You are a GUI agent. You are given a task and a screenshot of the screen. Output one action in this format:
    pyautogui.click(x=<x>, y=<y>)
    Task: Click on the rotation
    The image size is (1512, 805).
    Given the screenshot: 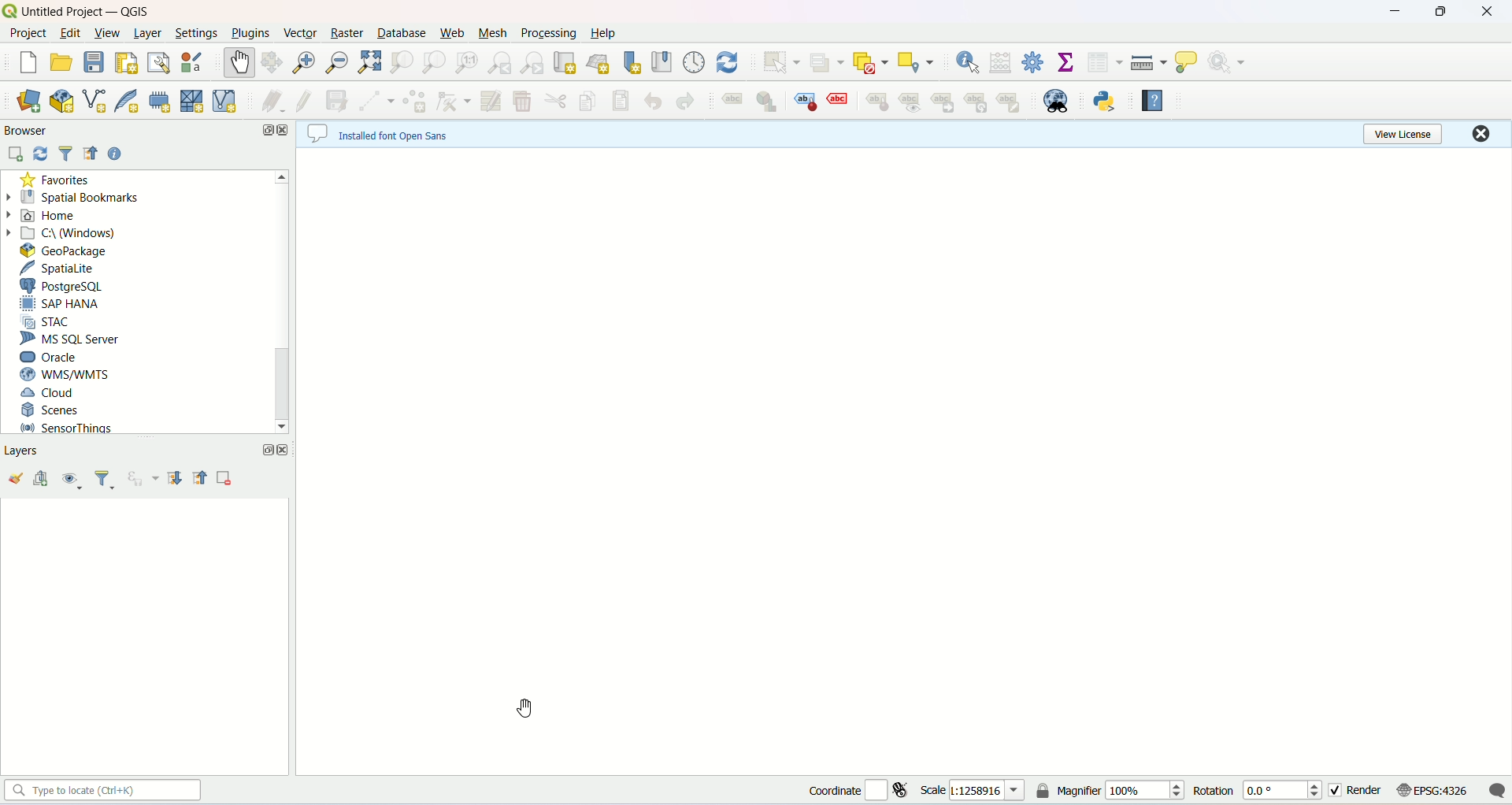 What is the action you would take?
    pyautogui.click(x=1216, y=792)
    